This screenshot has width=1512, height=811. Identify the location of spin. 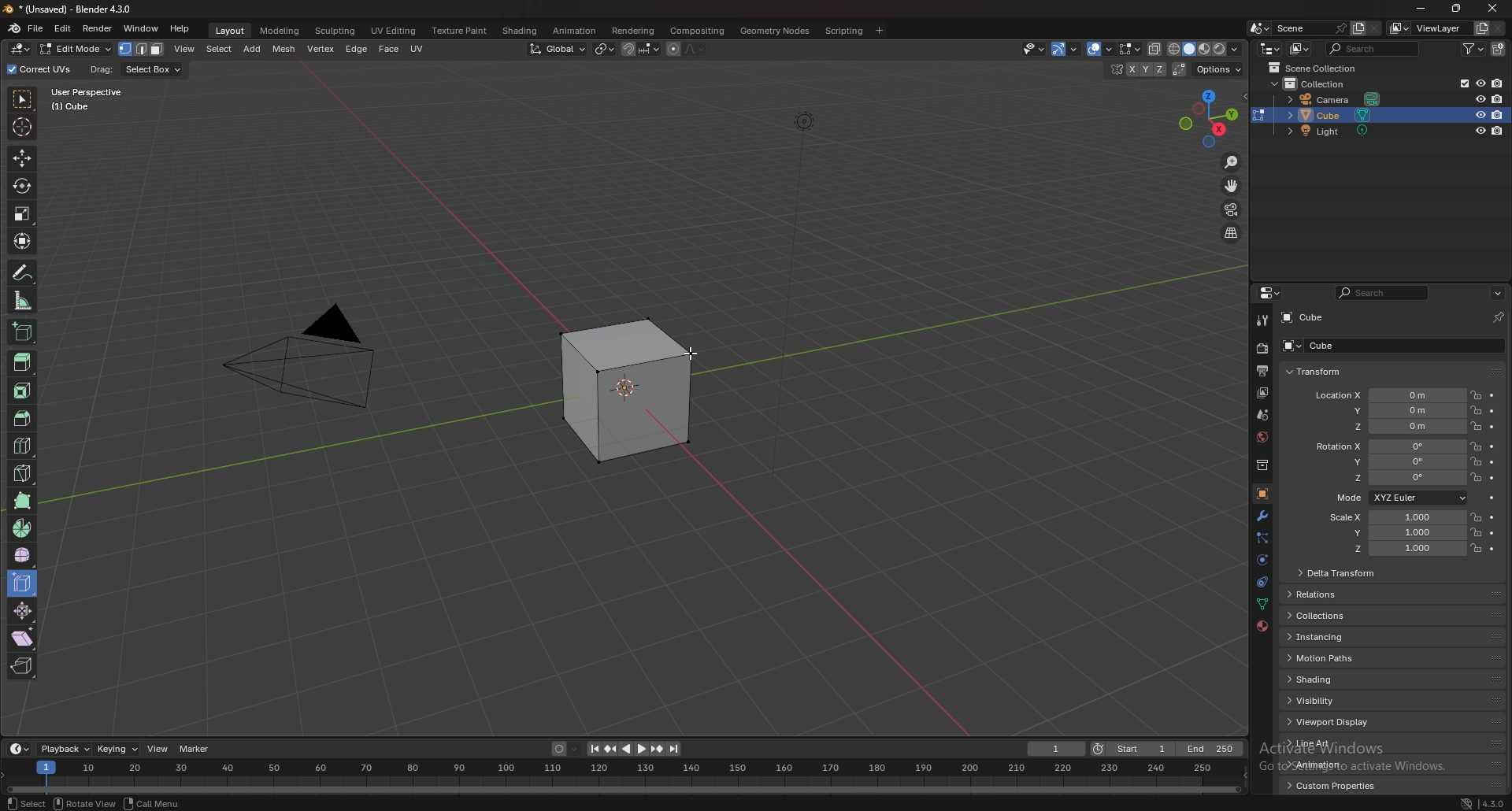
(22, 529).